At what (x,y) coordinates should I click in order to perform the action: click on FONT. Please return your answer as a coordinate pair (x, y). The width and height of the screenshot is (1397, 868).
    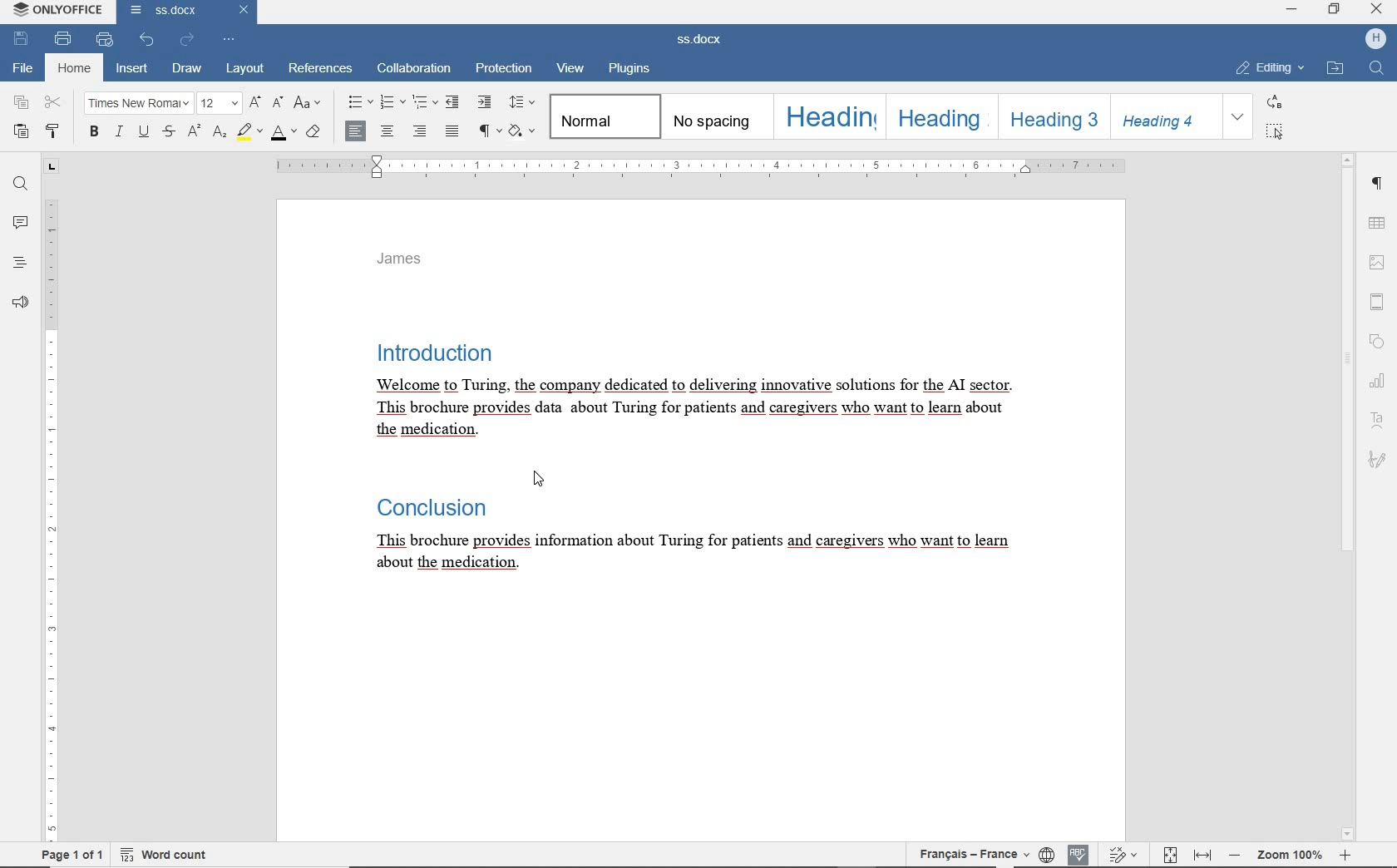
    Looking at the image, I should click on (136, 103).